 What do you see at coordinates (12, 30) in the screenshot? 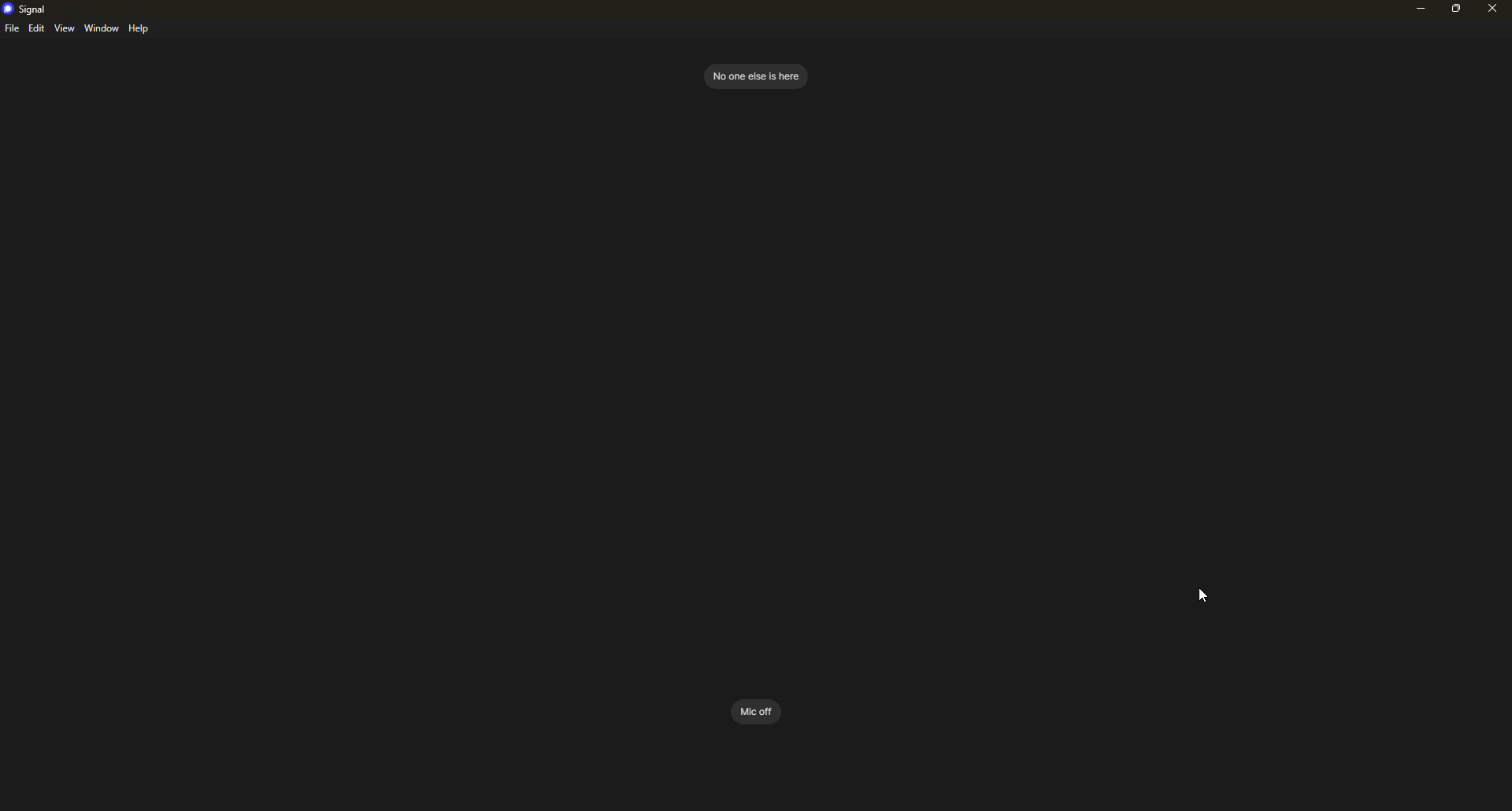
I see `file` at bounding box center [12, 30].